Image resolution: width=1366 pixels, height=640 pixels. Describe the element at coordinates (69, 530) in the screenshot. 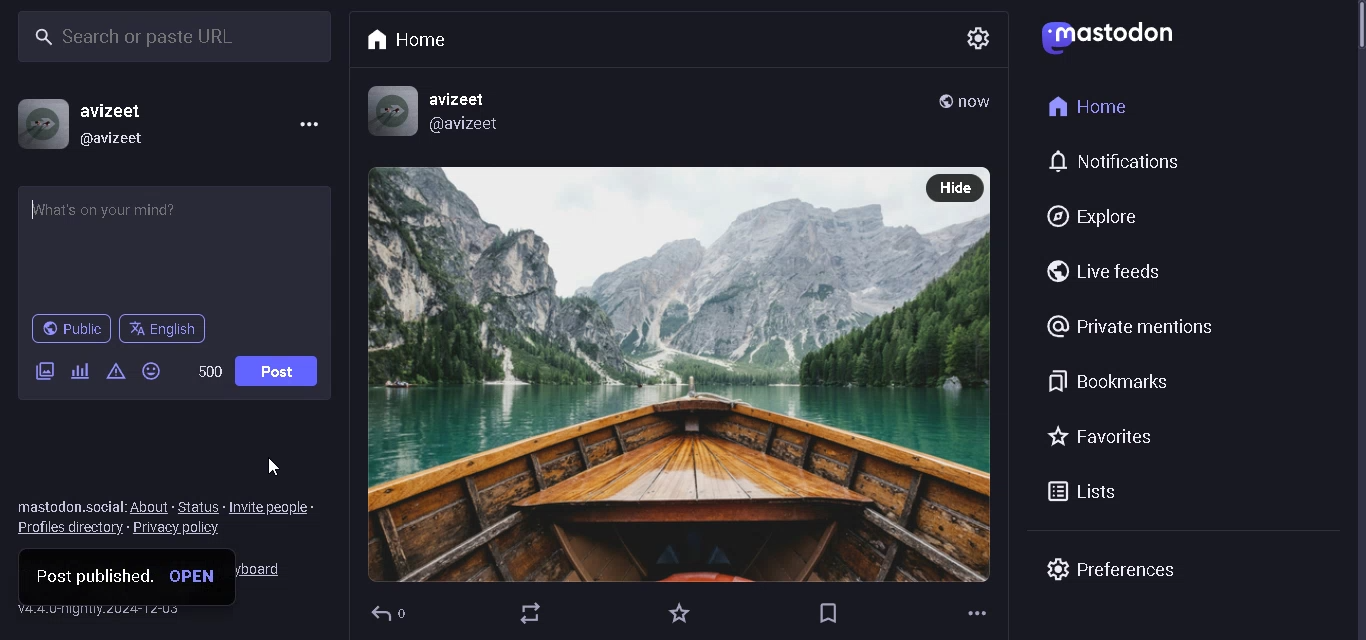

I see `profile directory` at that location.